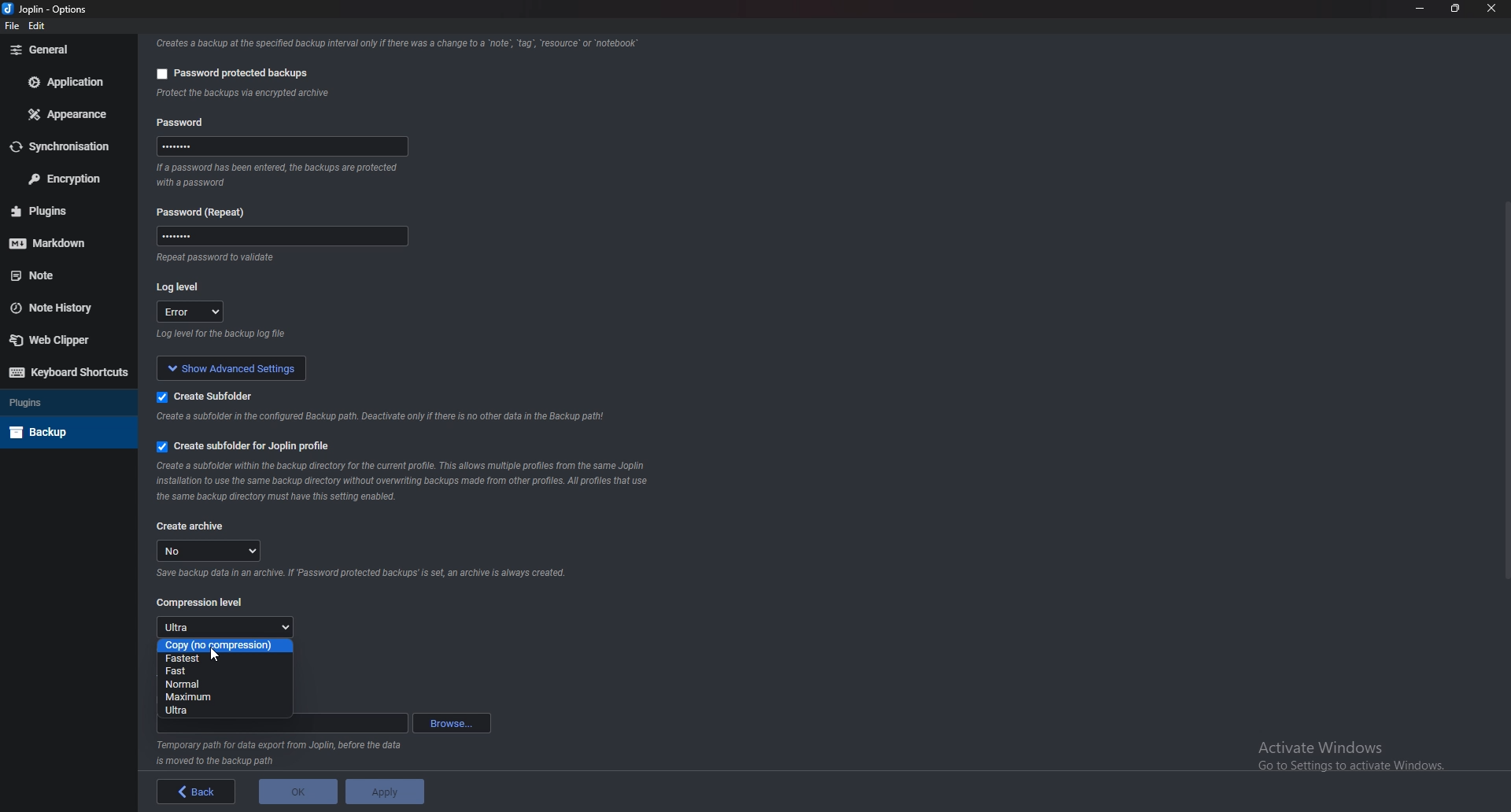  What do you see at coordinates (208, 396) in the screenshot?
I see `create subfolder` at bounding box center [208, 396].